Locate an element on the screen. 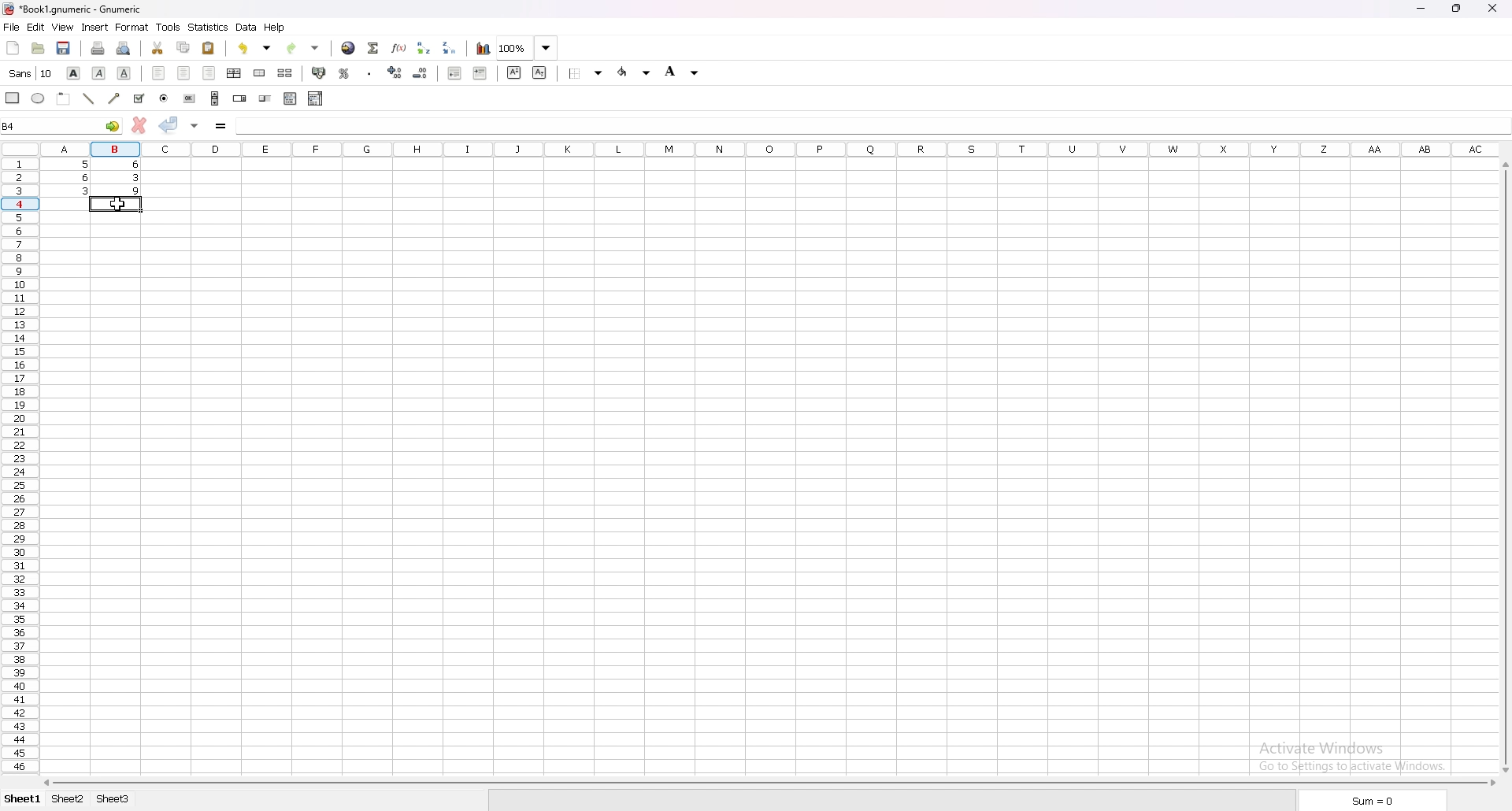  combo box is located at coordinates (316, 98).